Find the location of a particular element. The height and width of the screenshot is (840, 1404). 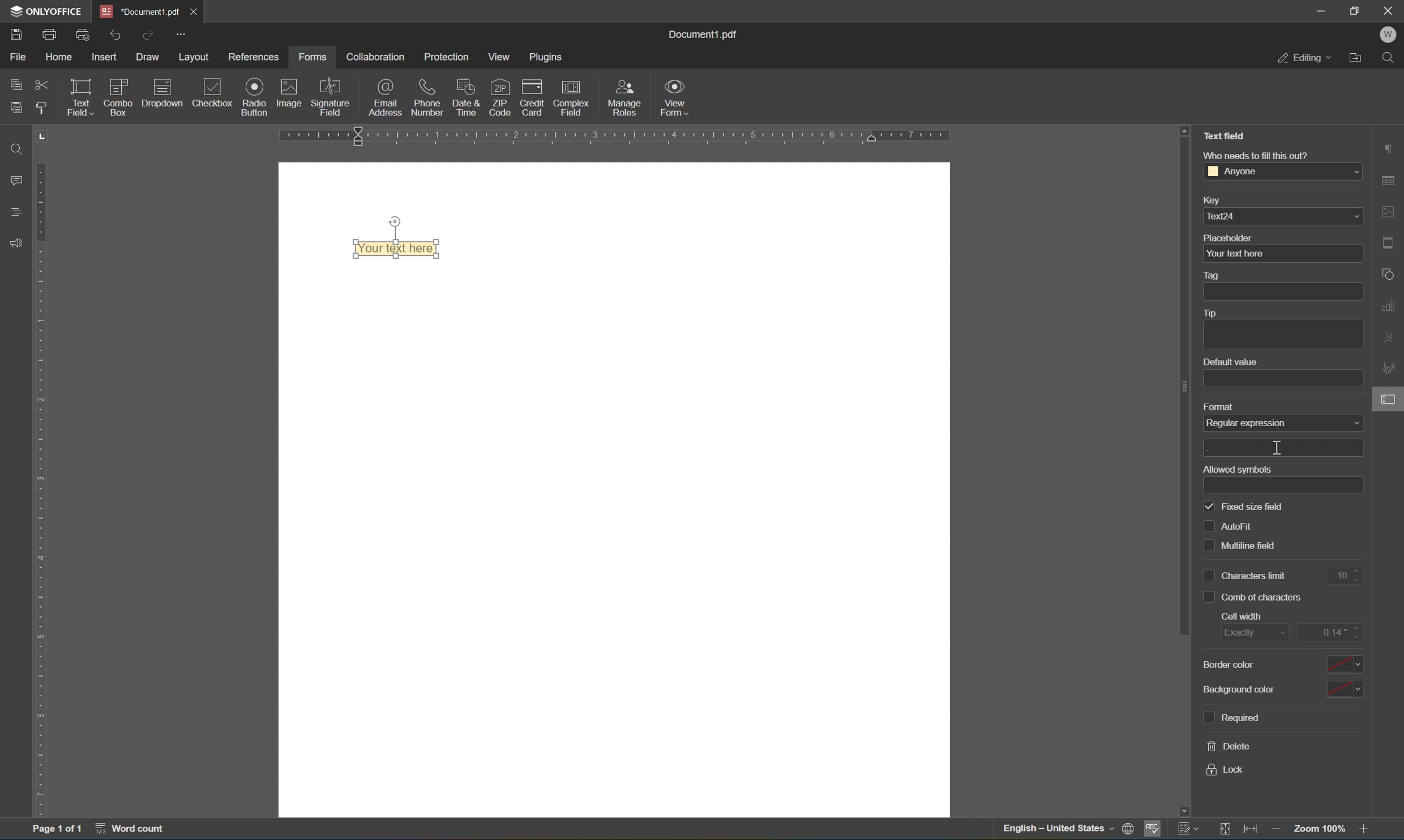

signature field is located at coordinates (331, 97).